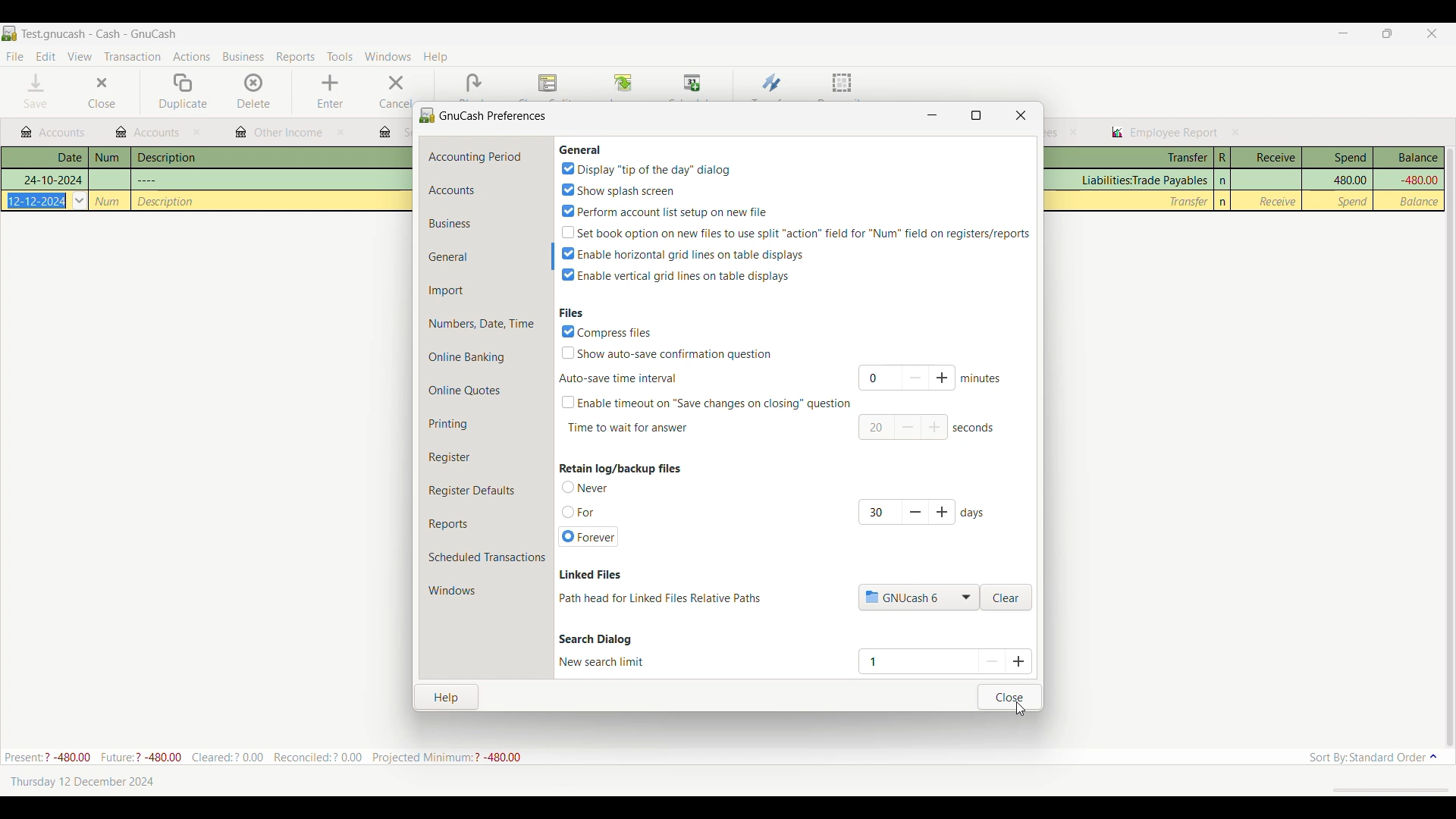 Image resolution: width=1456 pixels, height=819 pixels. I want to click on Show in smaller tab, so click(1387, 33).